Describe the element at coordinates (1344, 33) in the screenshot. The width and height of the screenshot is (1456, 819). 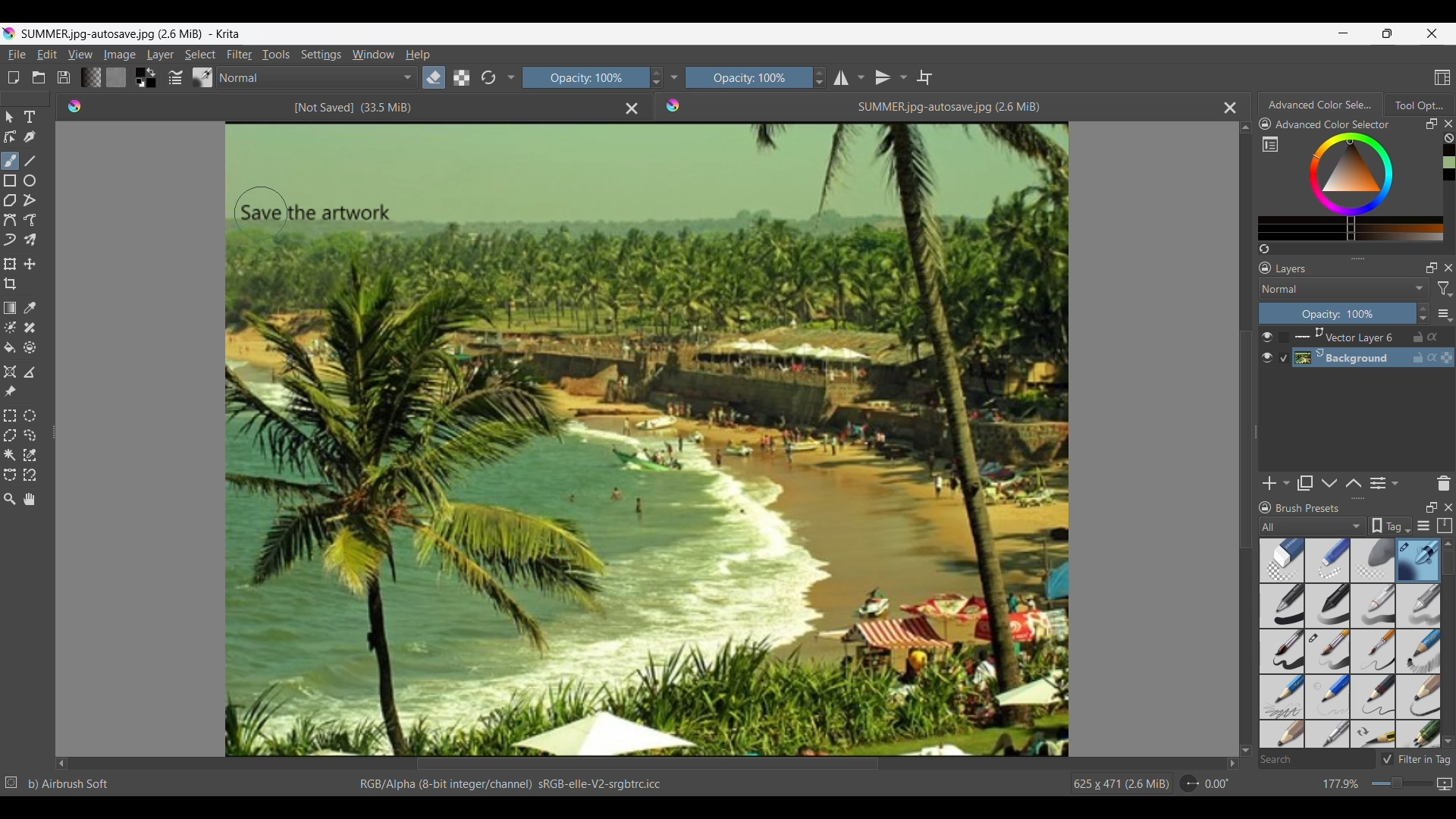
I see `Minimize` at that location.